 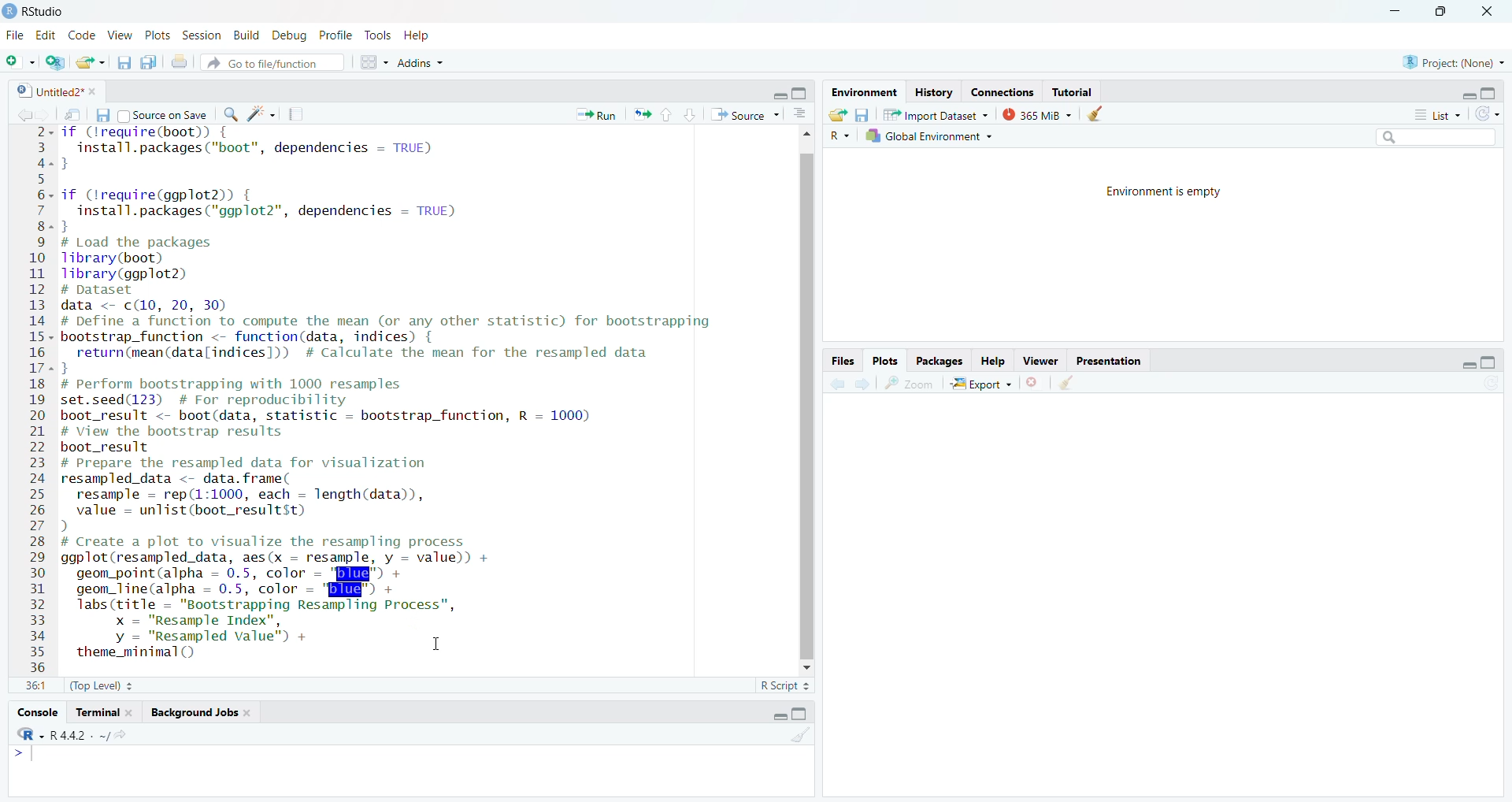 I want to click on Debug, so click(x=287, y=35).